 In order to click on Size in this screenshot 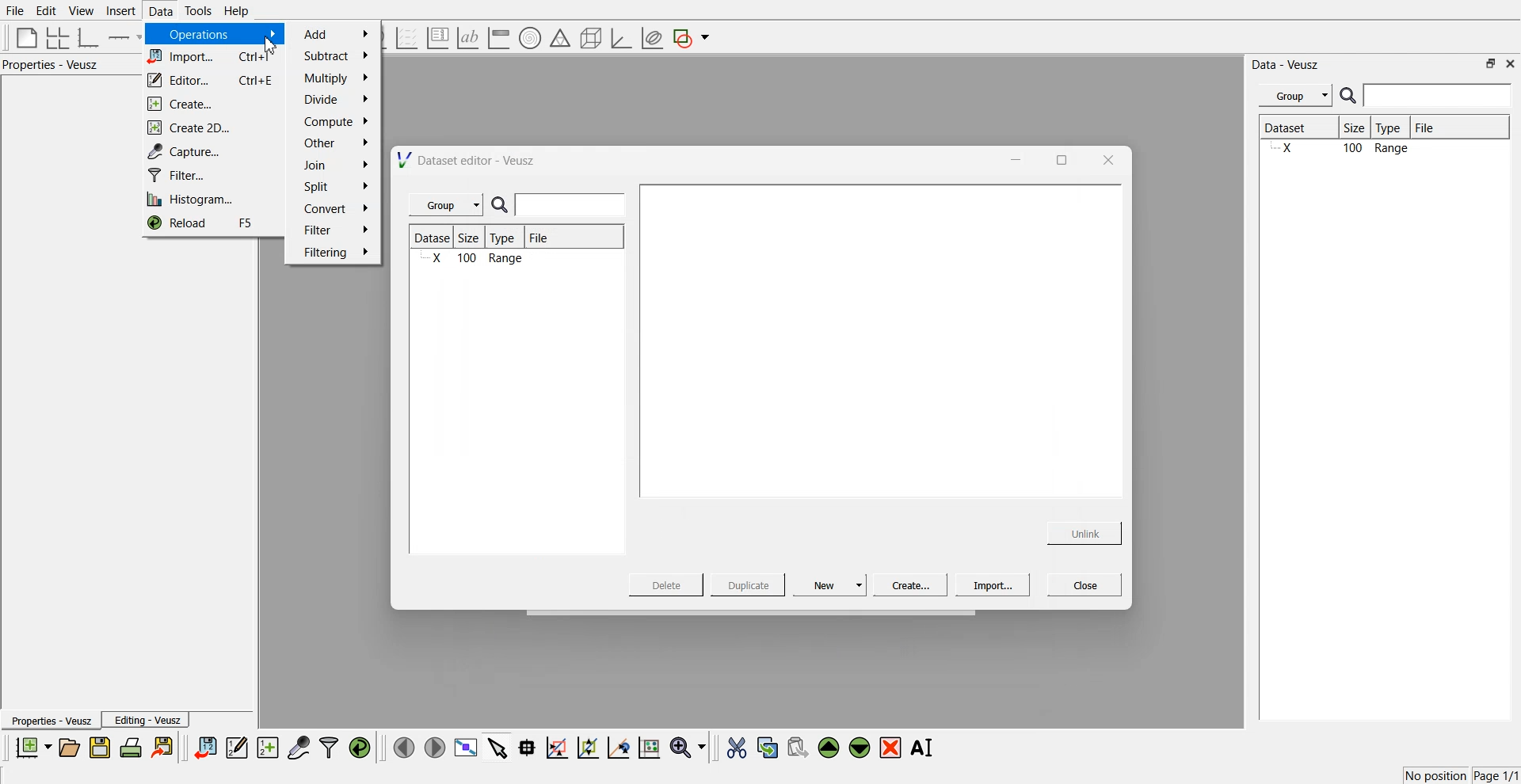, I will do `click(1359, 129)`.